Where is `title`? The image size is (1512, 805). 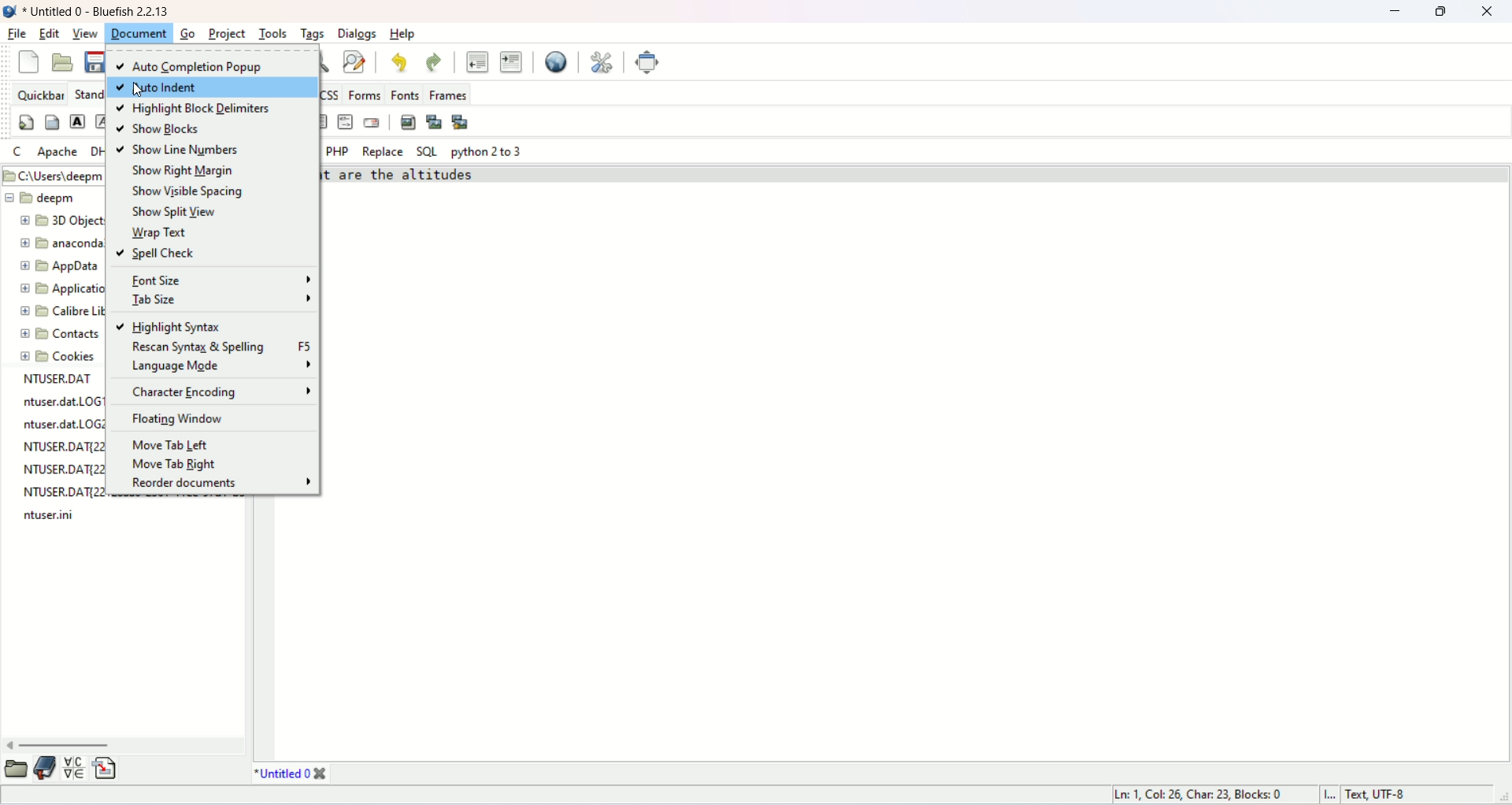
title is located at coordinates (292, 774).